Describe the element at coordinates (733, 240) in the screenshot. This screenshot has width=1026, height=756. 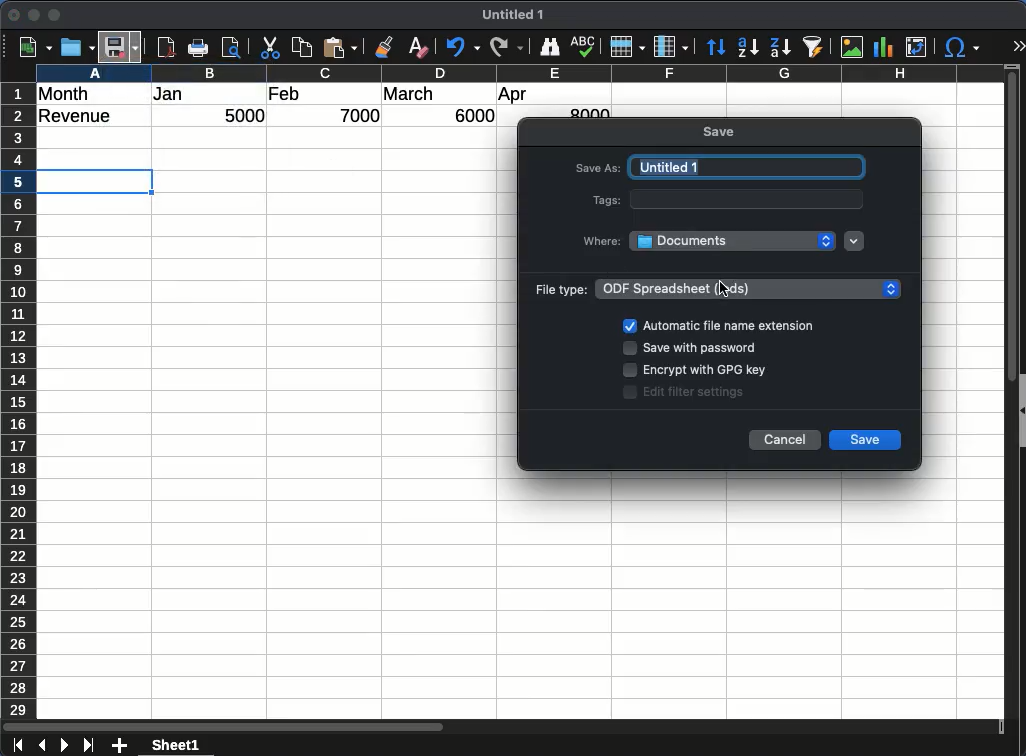
I see `Documents` at that location.